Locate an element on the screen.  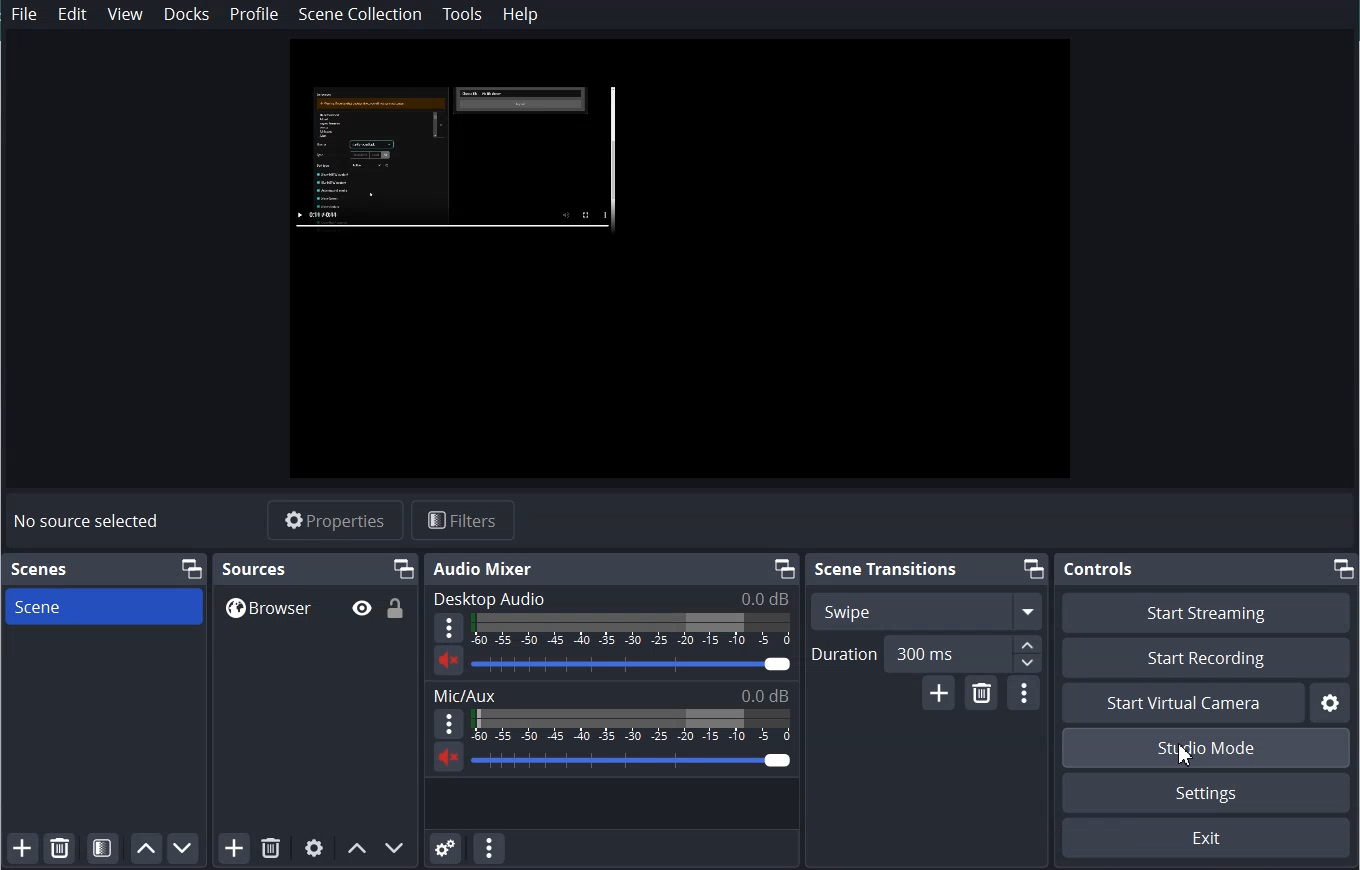
File Preview is located at coordinates (676, 255).